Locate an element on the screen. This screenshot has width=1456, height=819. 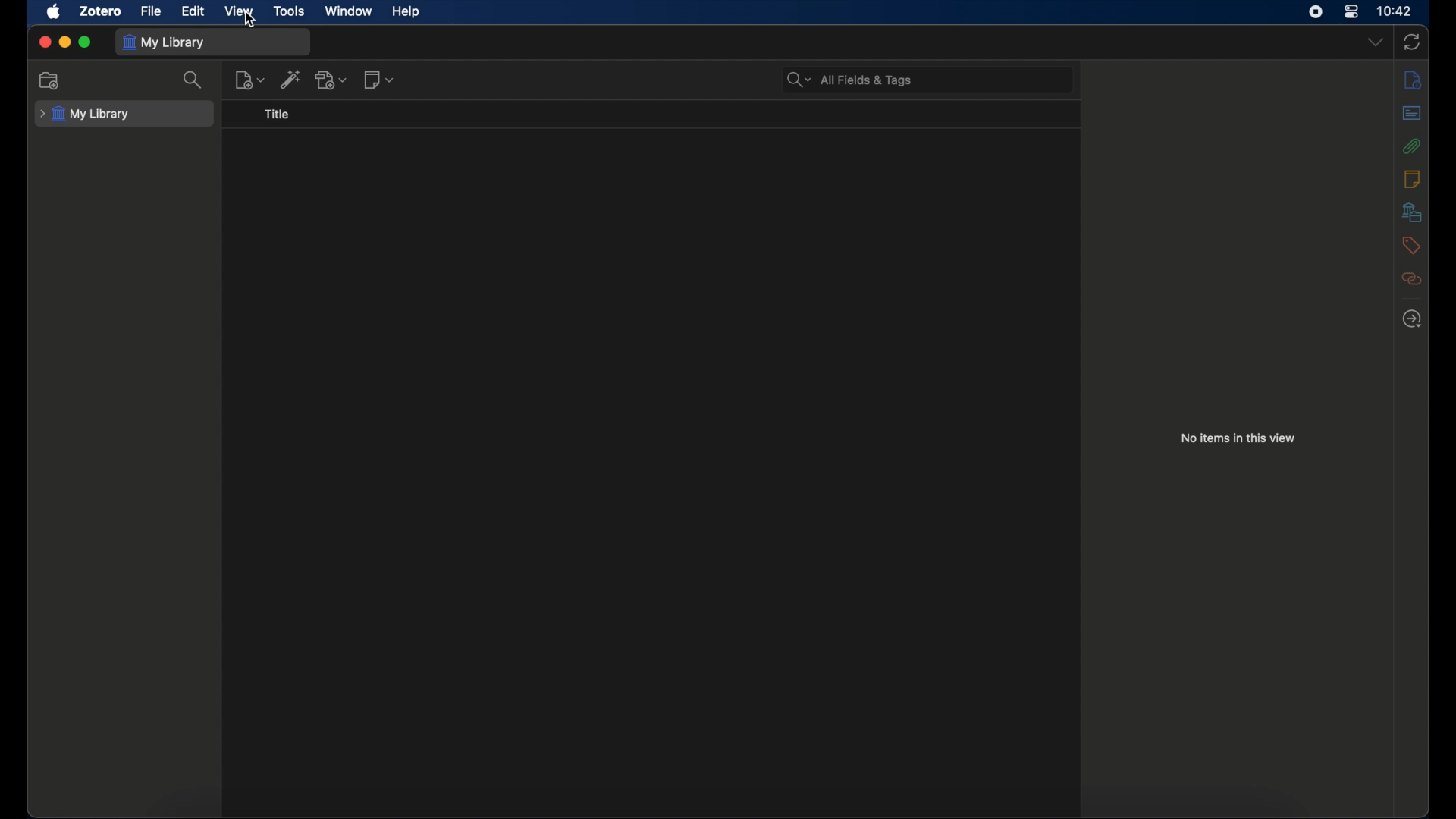
my library is located at coordinates (86, 114).